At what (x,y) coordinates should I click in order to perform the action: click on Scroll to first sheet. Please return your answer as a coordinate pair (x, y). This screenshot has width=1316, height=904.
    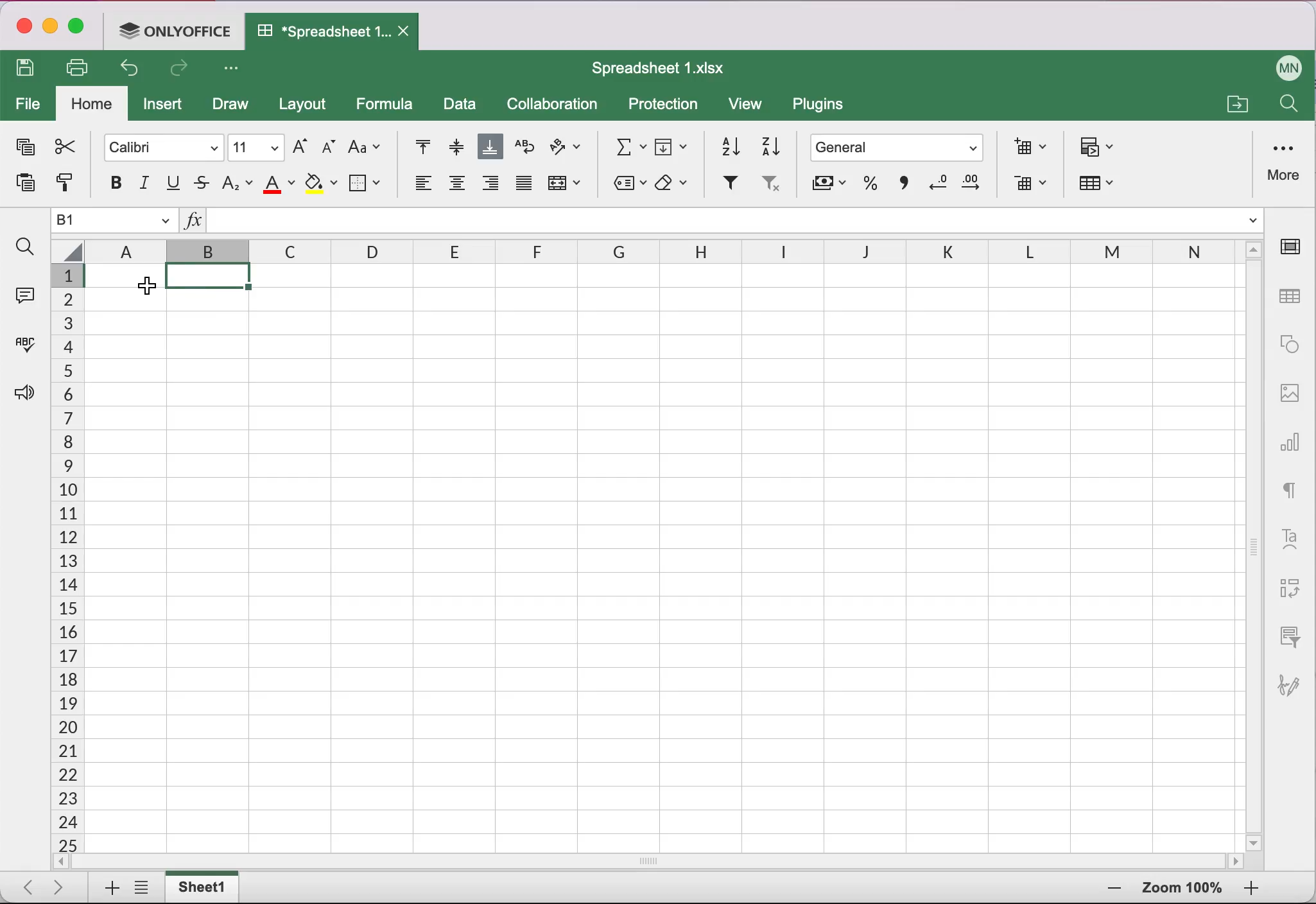
    Looking at the image, I should click on (24, 883).